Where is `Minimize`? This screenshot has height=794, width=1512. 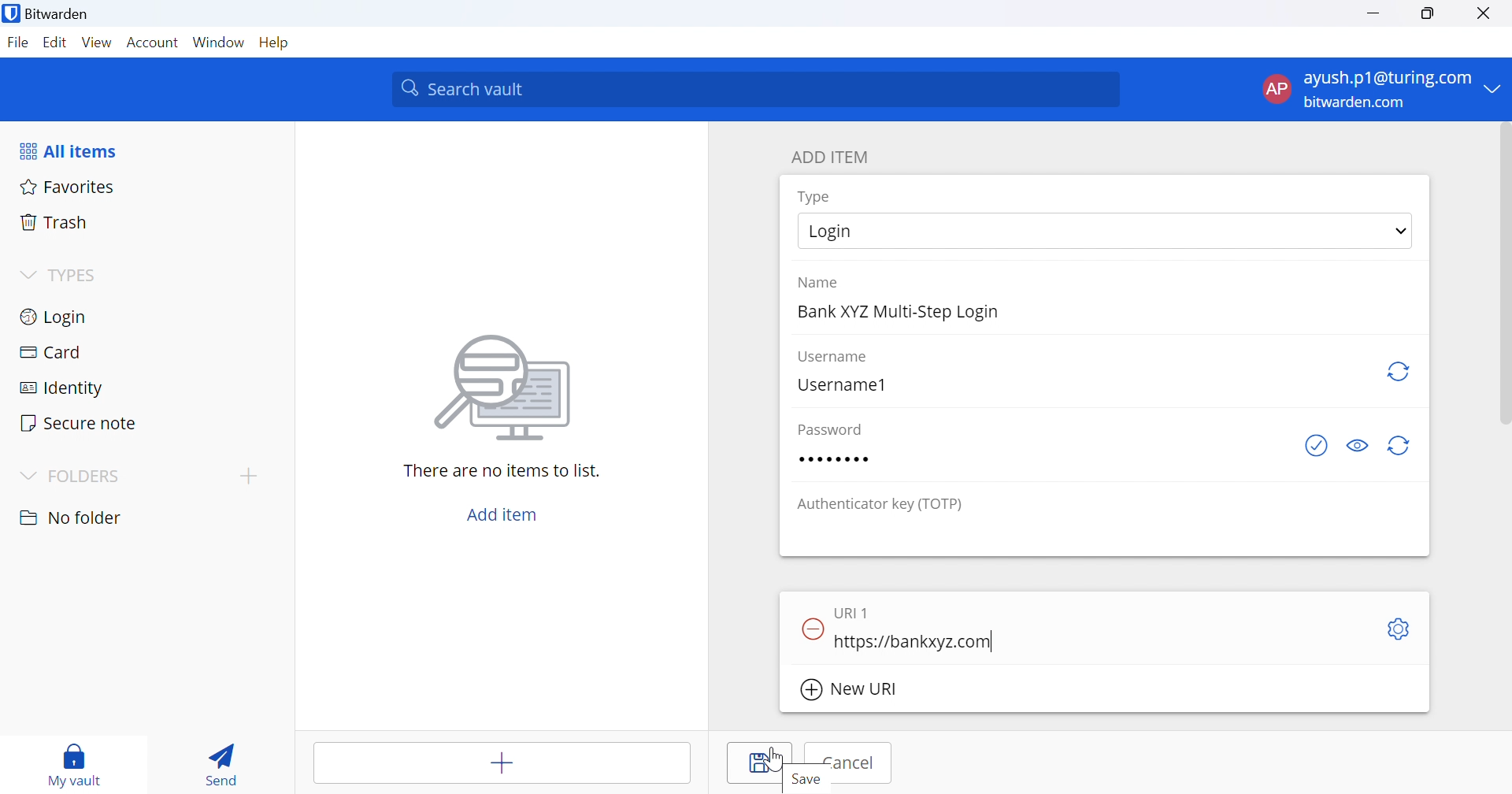
Minimize is located at coordinates (1373, 15).